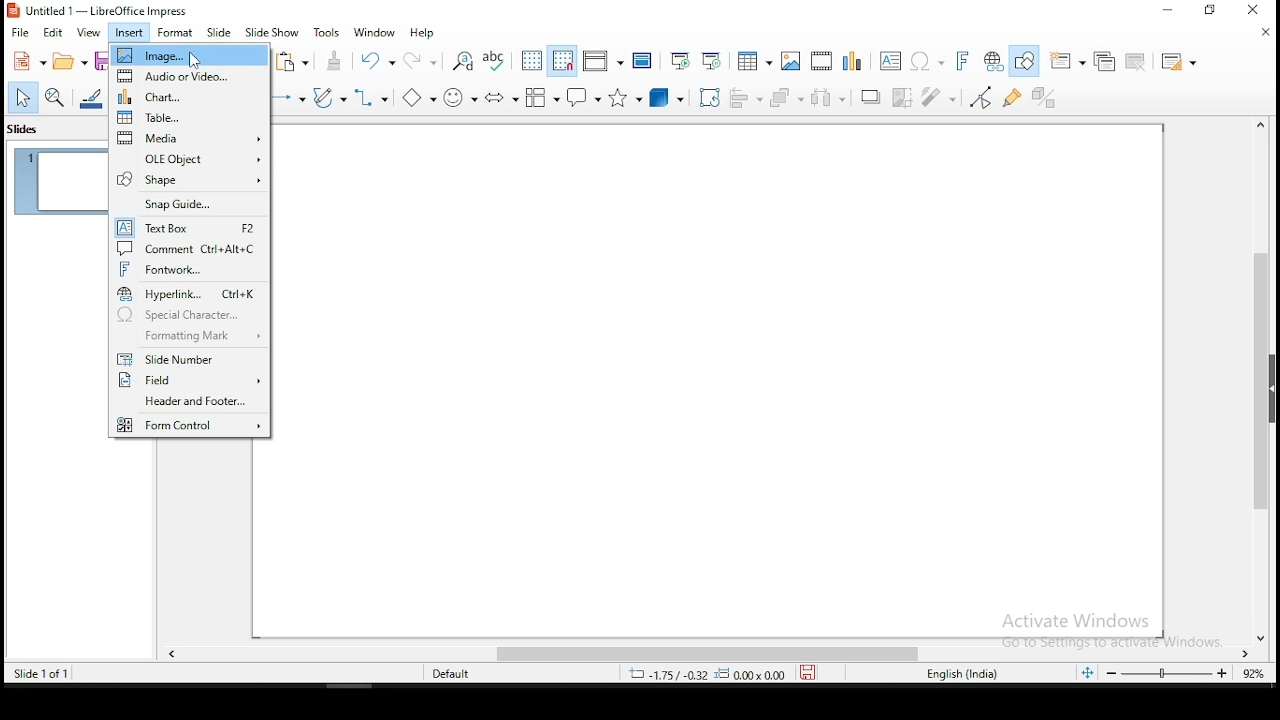  Describe the element at coordinates (645, 59) in the screenshot. I see `master slide` at that location.